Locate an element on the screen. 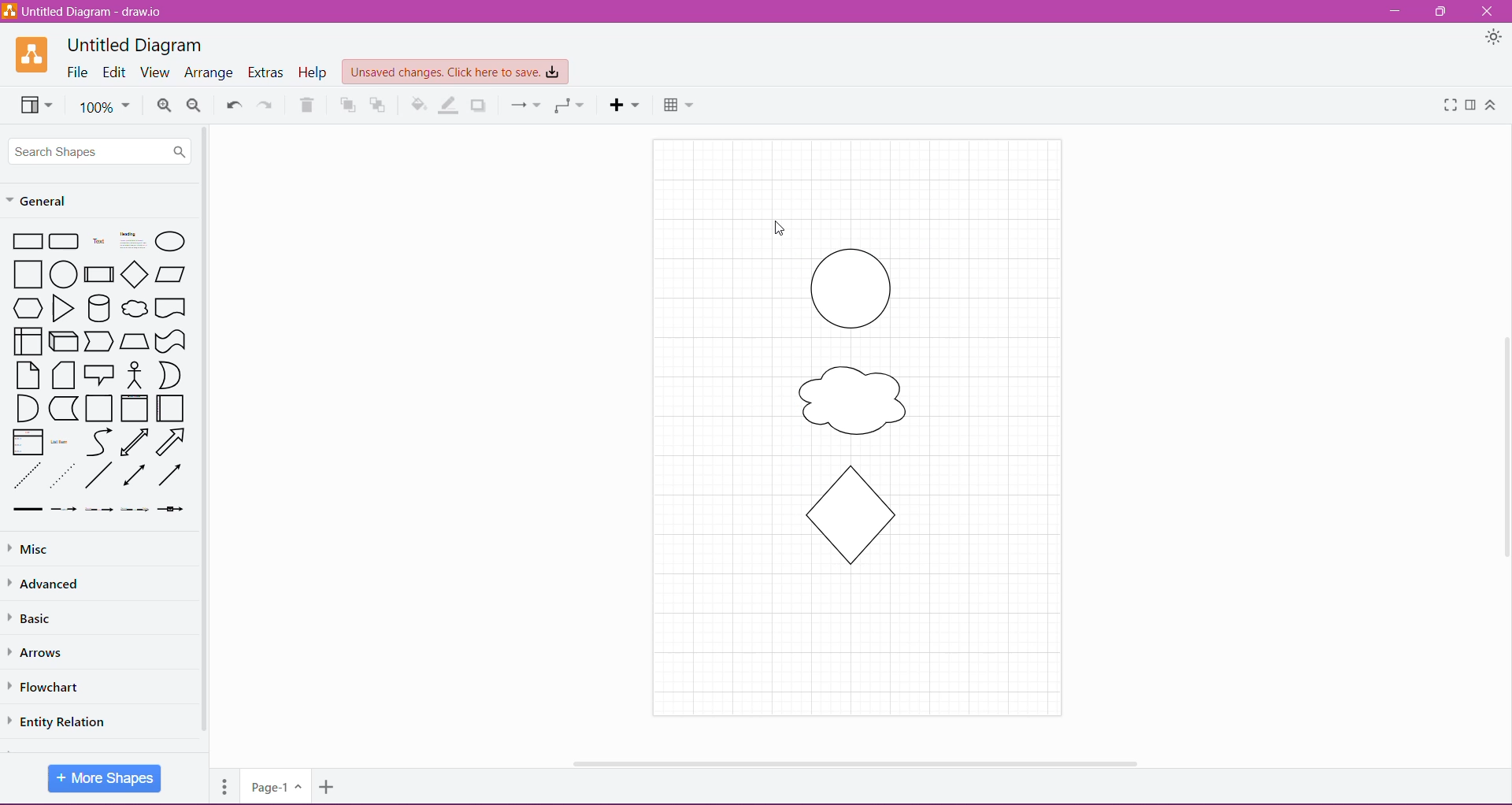 The width and height of the screenshot is (1512, 805). Unsaved Changes. Click here to save. is located at coordinates (456, 72).